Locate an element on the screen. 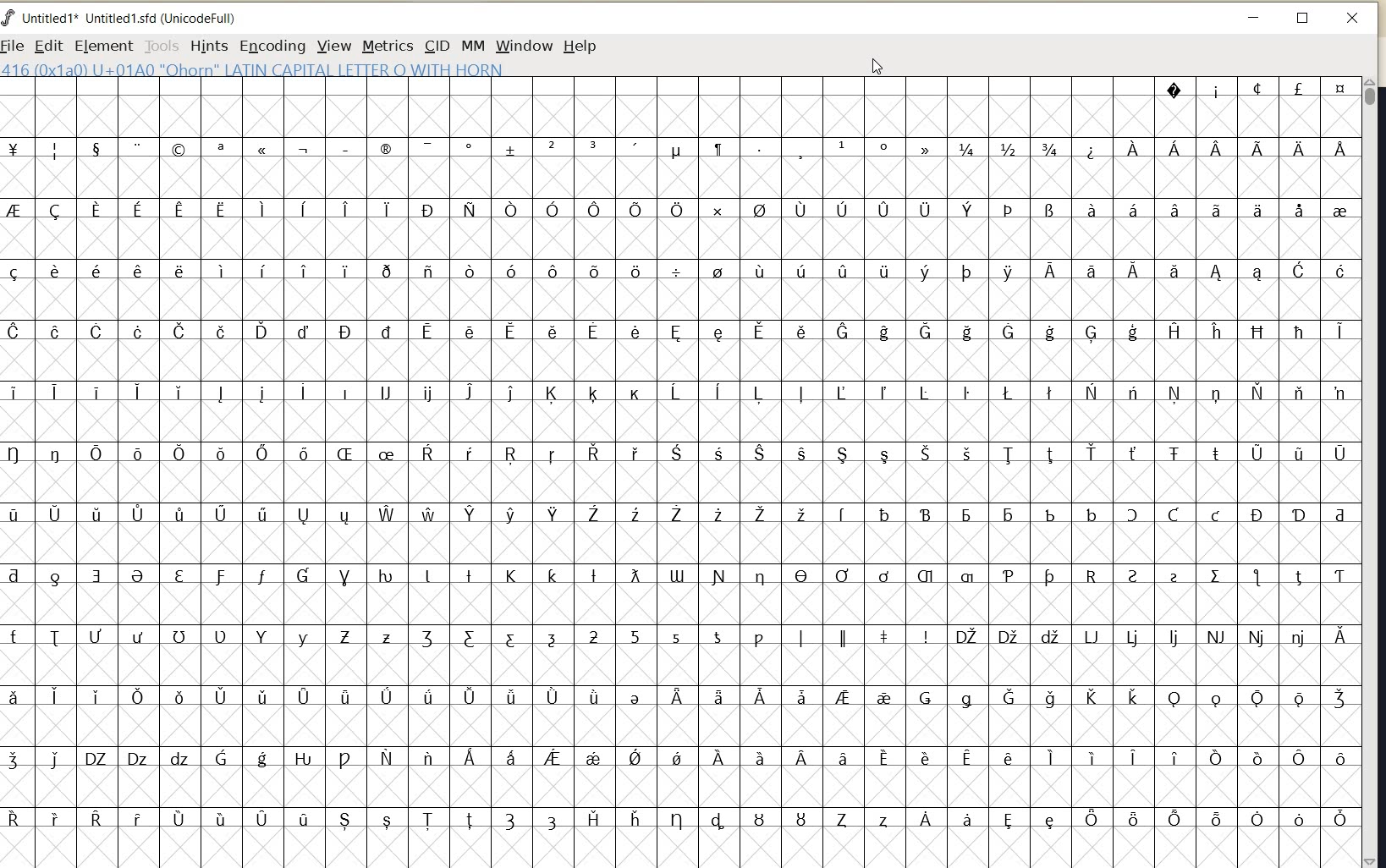  MINIMIZE is located at coordinates (1255, 17).